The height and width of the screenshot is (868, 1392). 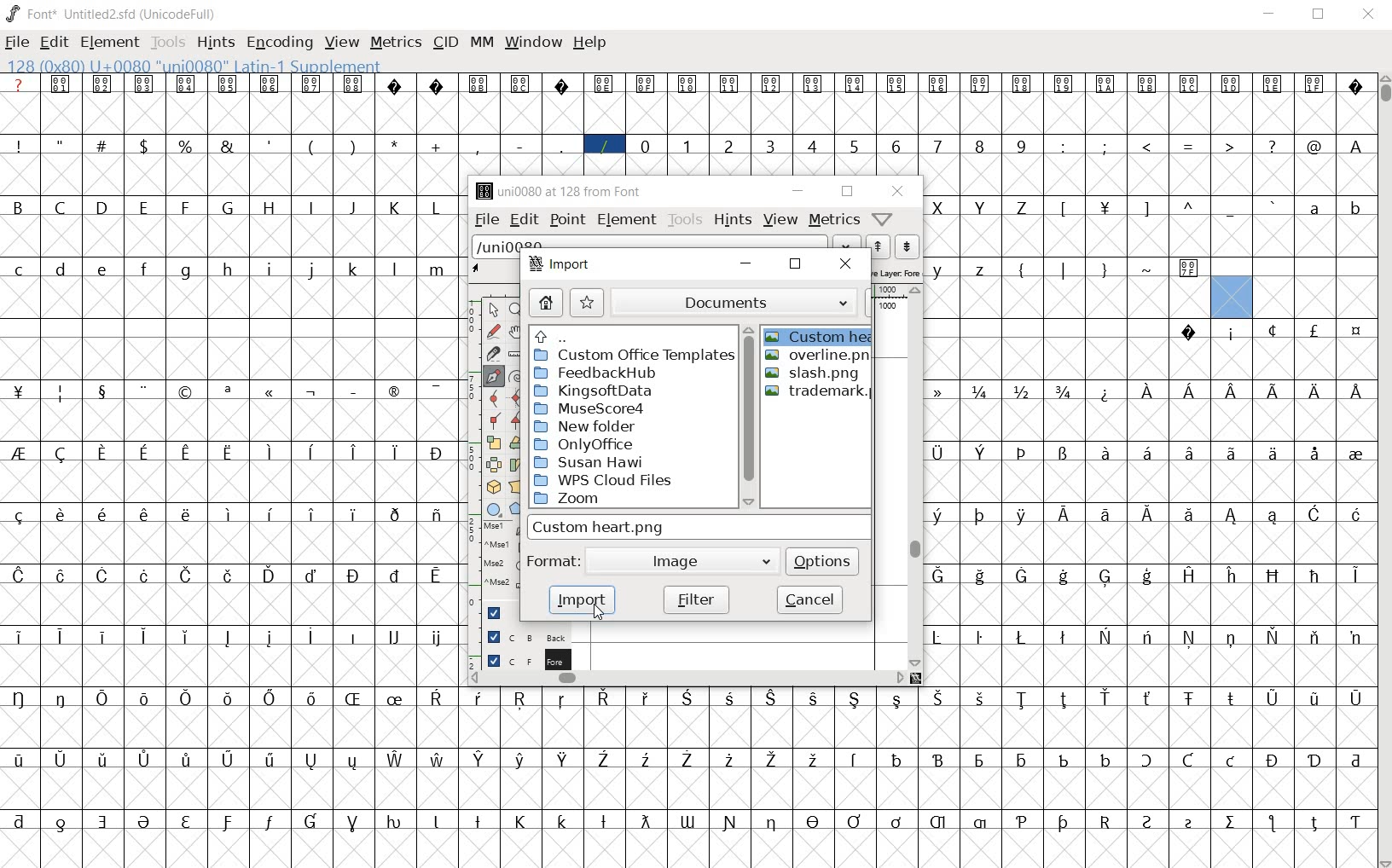 What do you see at coordinates (562, 86) in the screenshot?
I see `glyph` at bounding box center [562, 86].